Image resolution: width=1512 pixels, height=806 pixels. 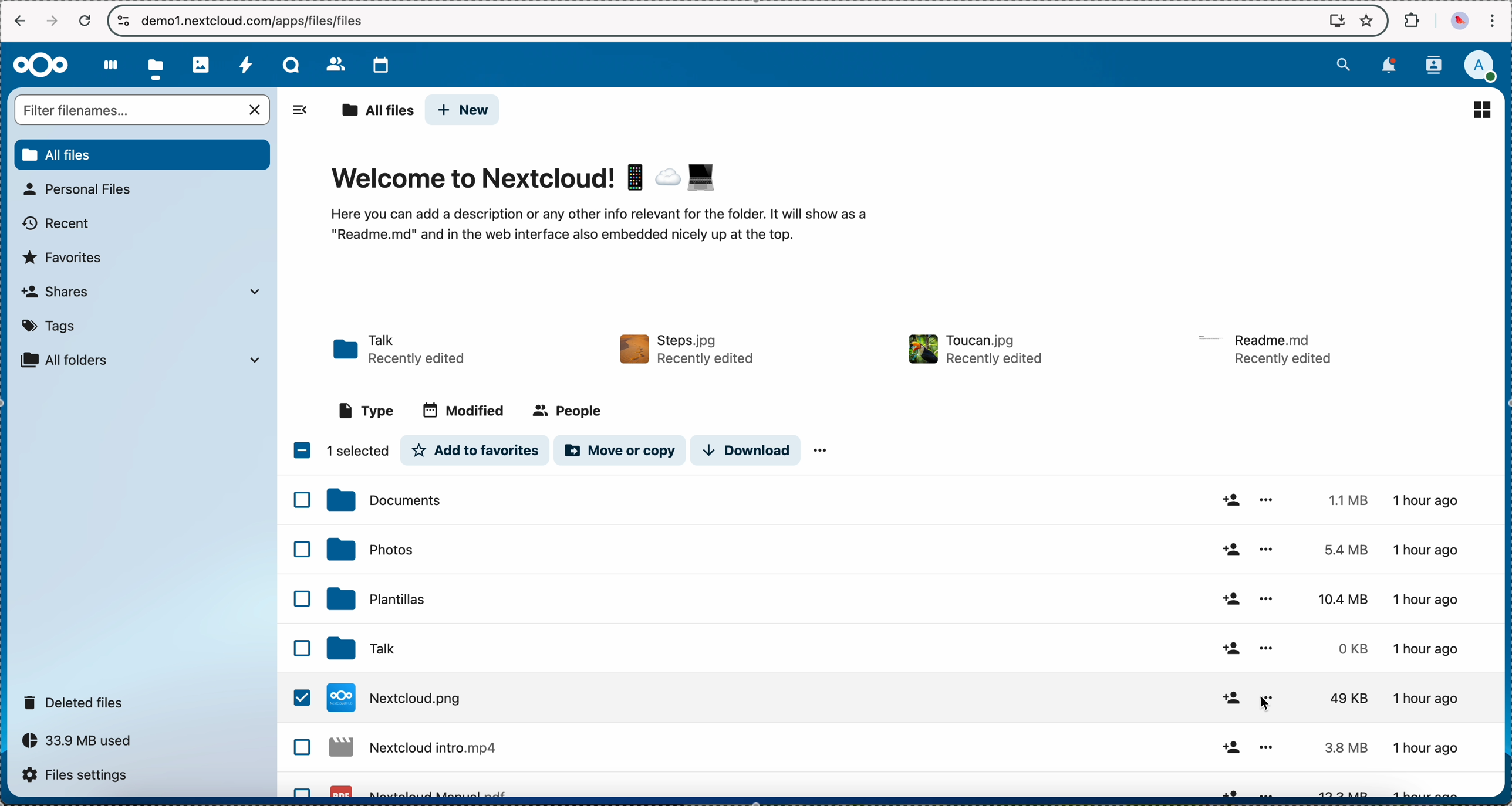 What do you see at coordinates (900, 750) in the screenshot?
I see `file` at bounding box center [900, 750].